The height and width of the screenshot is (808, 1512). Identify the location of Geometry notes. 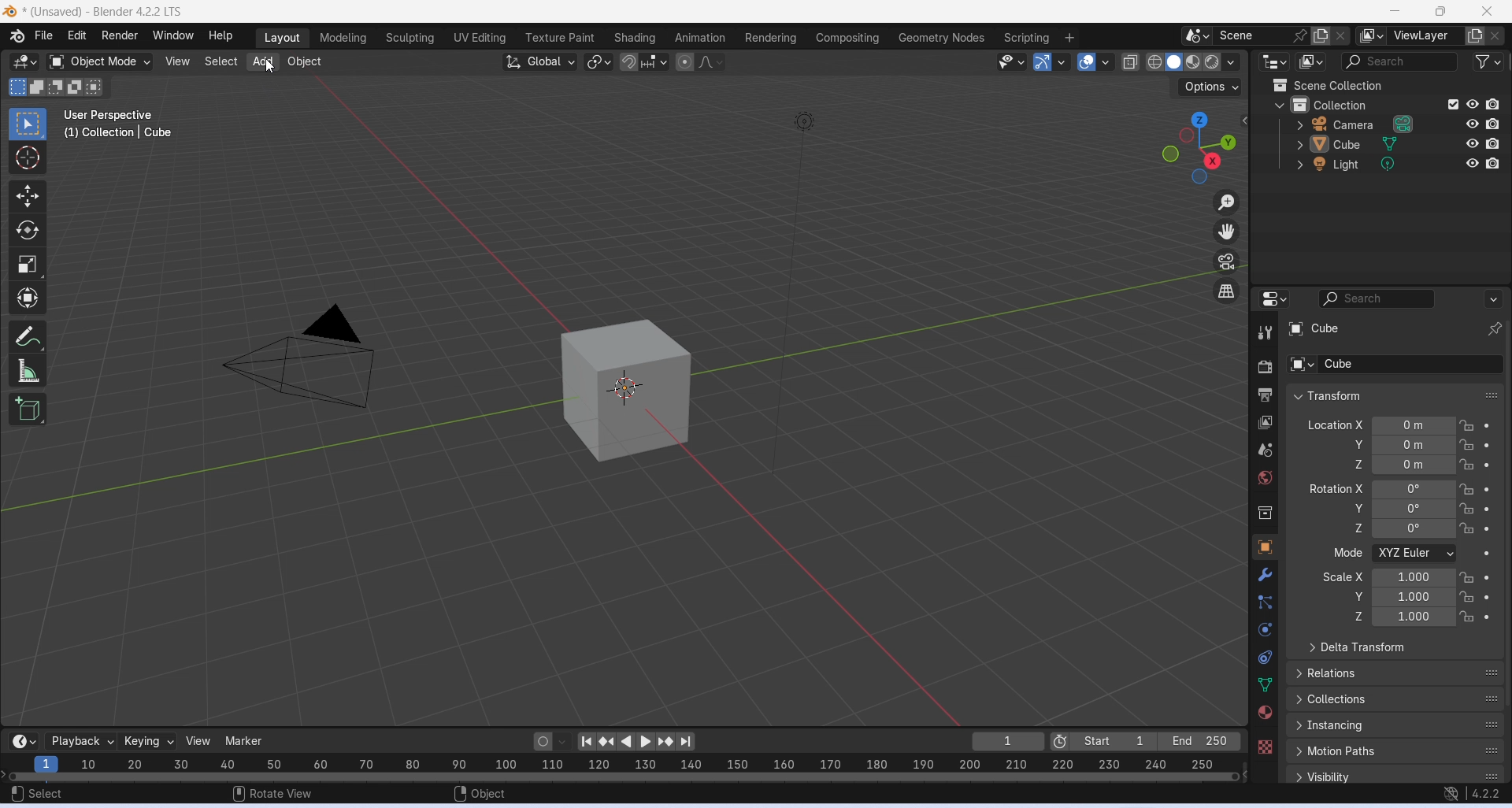
(943, 37).